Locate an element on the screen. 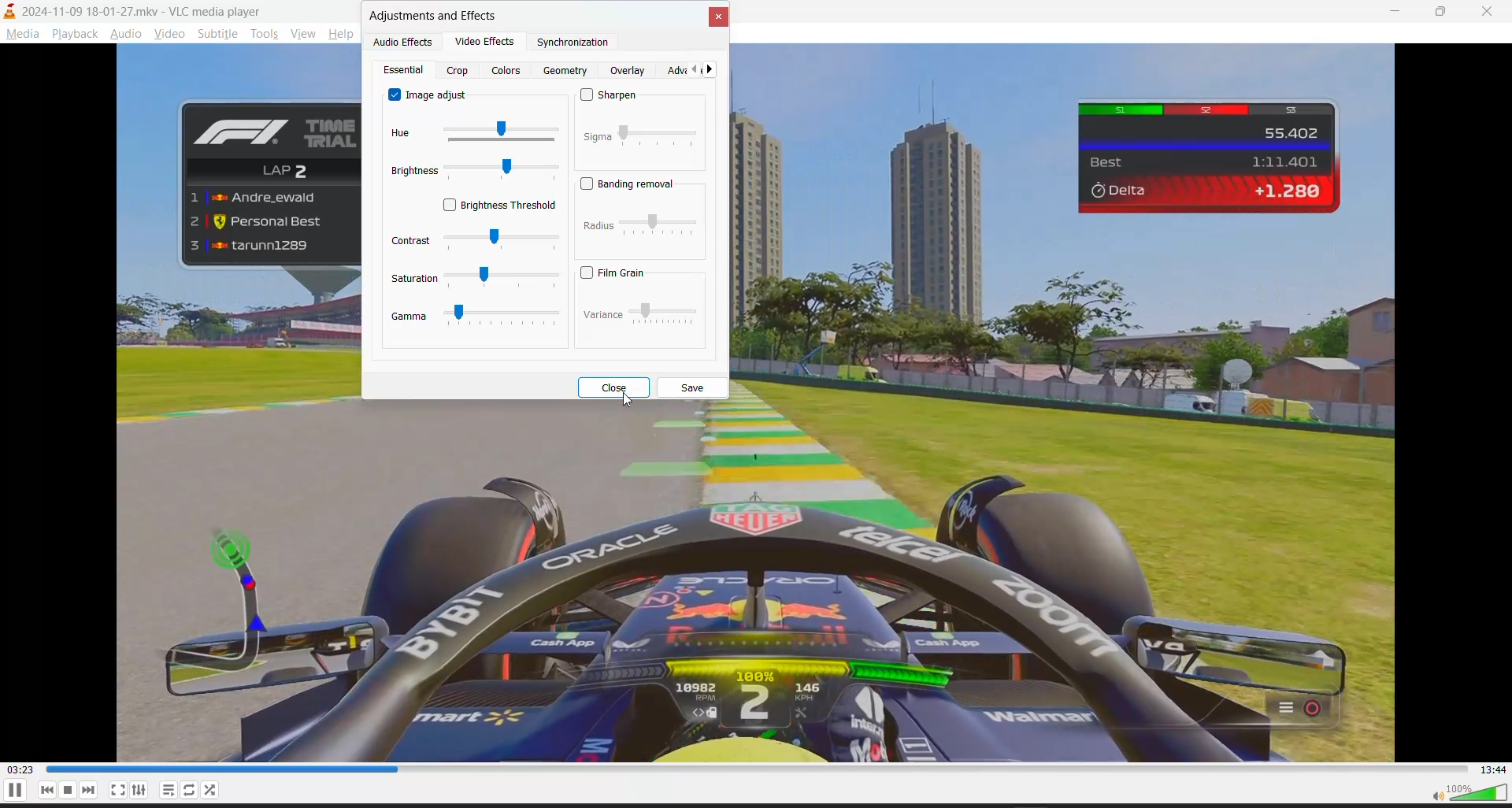 Image resolution: width=1512 pixels, height=808 pixels. stop is located at coordinates (69, 790).